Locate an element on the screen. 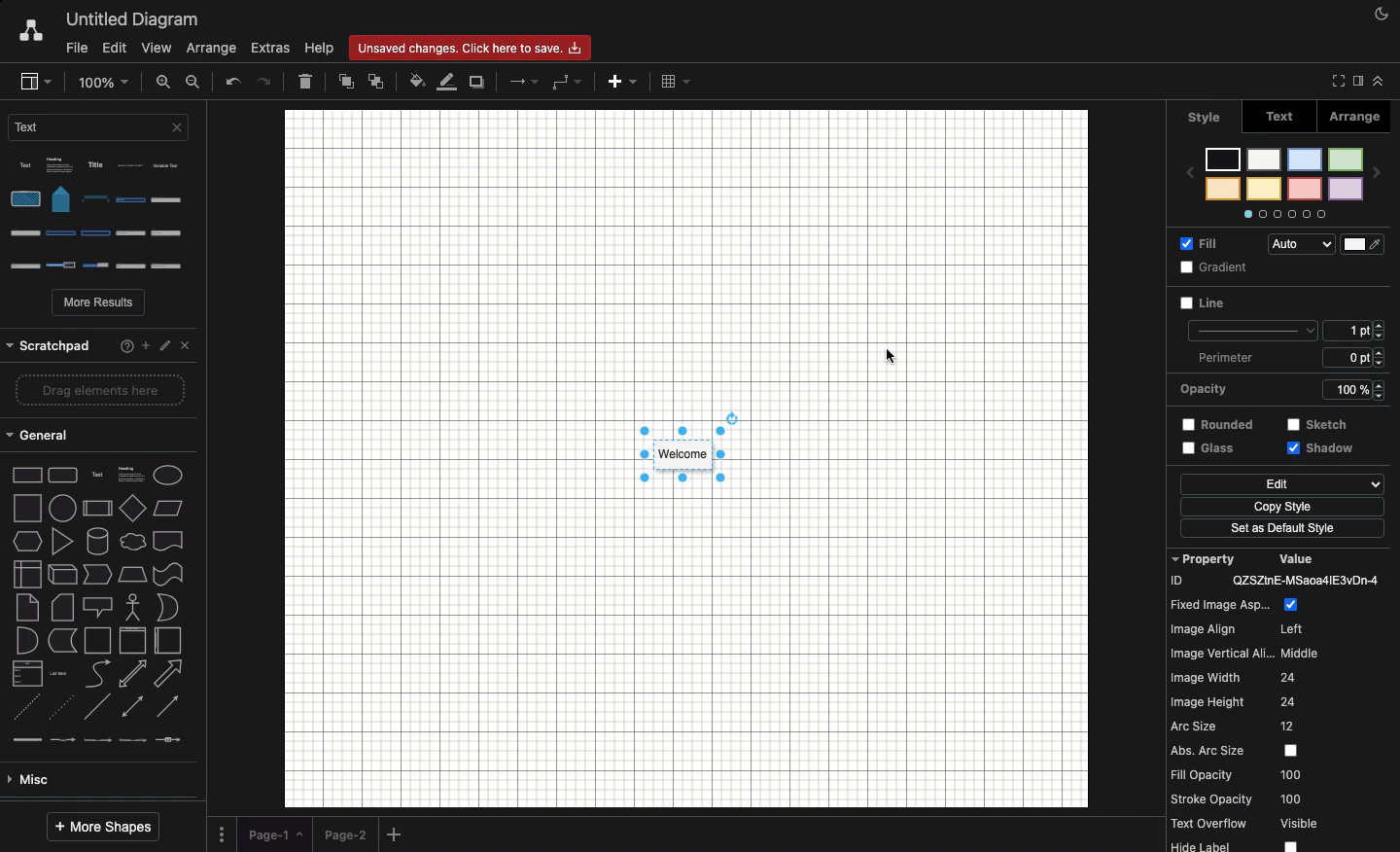  Undo is located at coordinates (232, 83).